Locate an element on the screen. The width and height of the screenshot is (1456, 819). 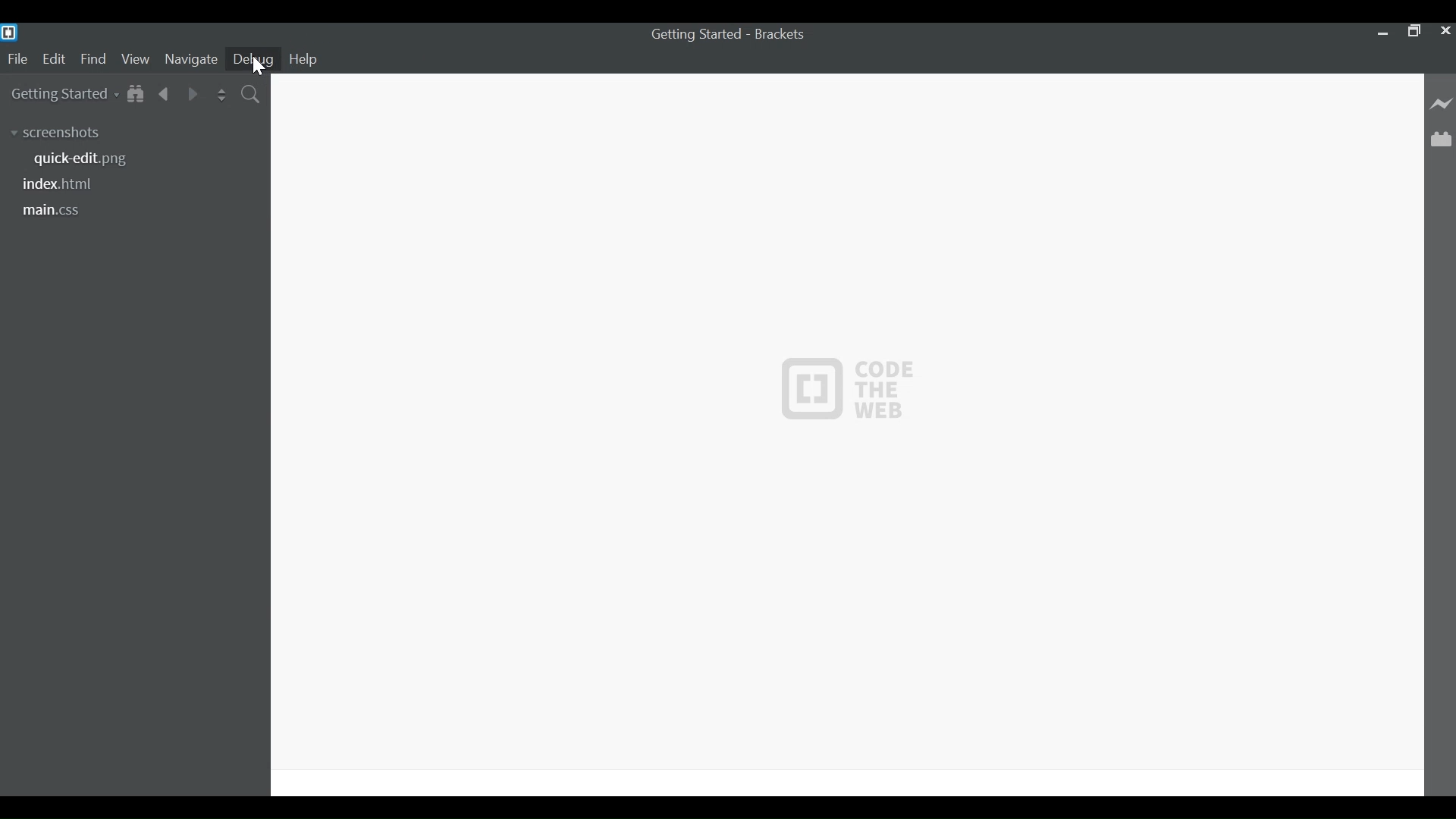
Help is located at coordinates (311, 58).